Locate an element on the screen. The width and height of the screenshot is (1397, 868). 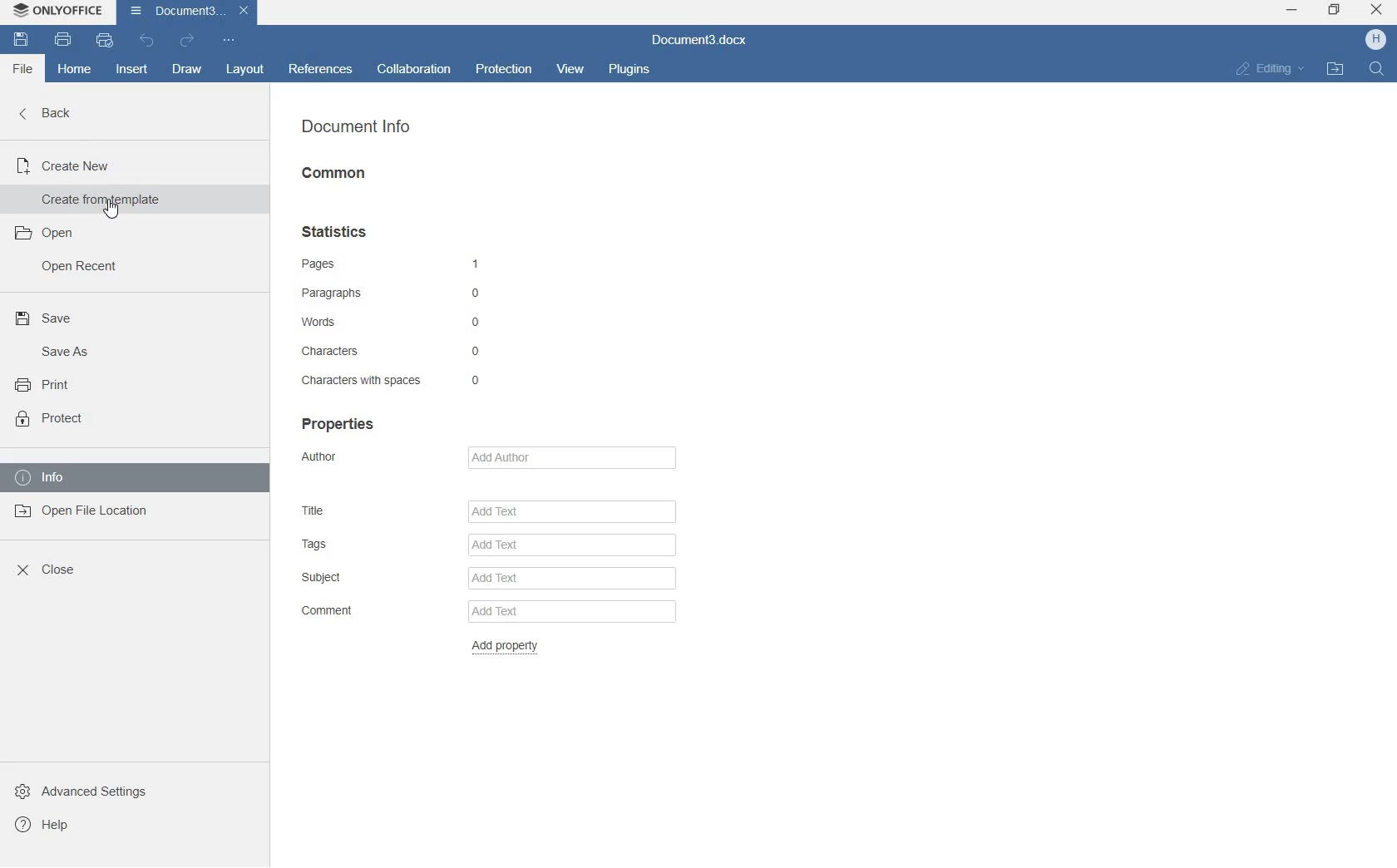
ave is located at coordinates (52, 321).